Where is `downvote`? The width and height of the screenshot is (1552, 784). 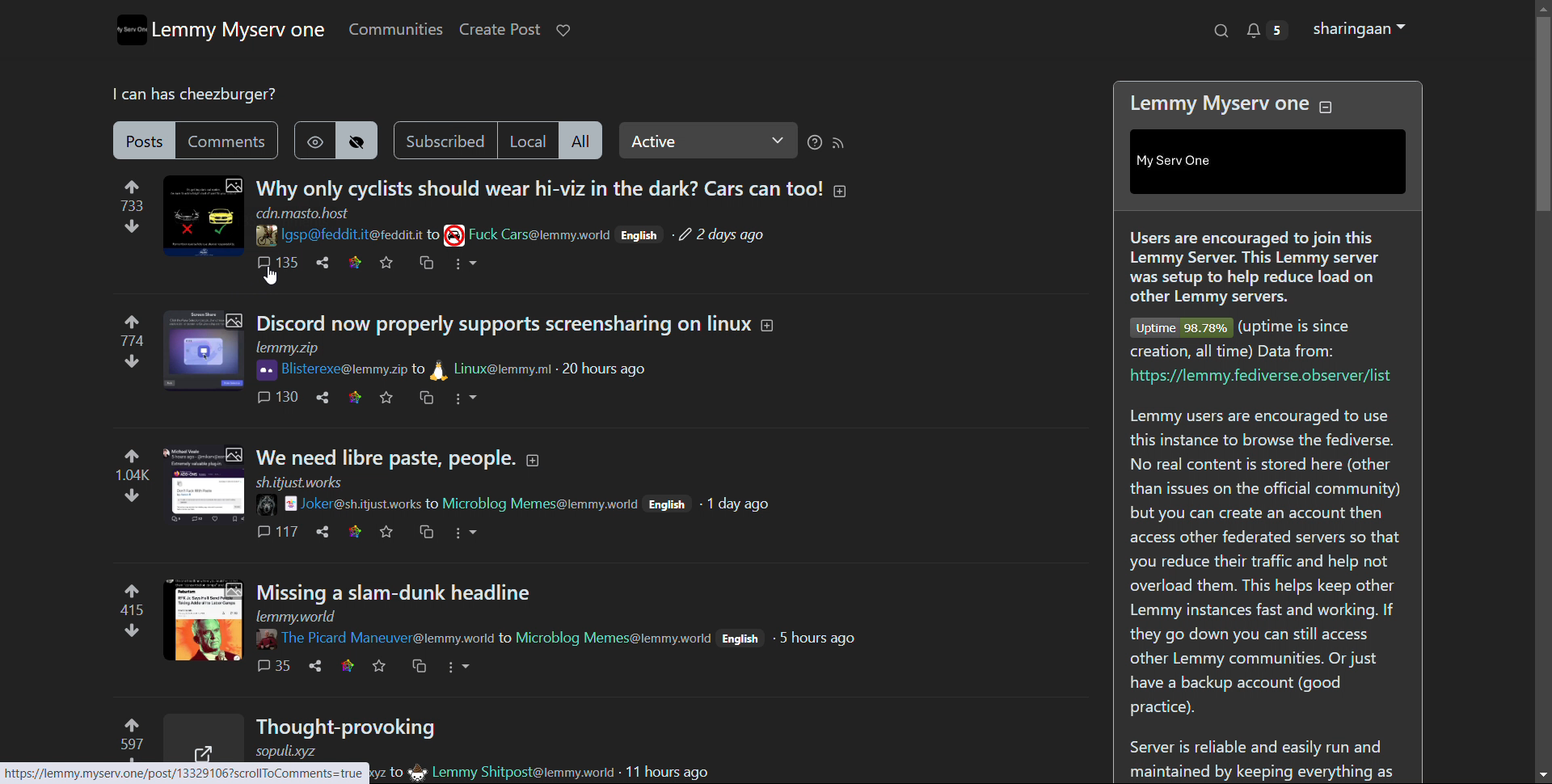 downvote is located at coordinates (132, 360).